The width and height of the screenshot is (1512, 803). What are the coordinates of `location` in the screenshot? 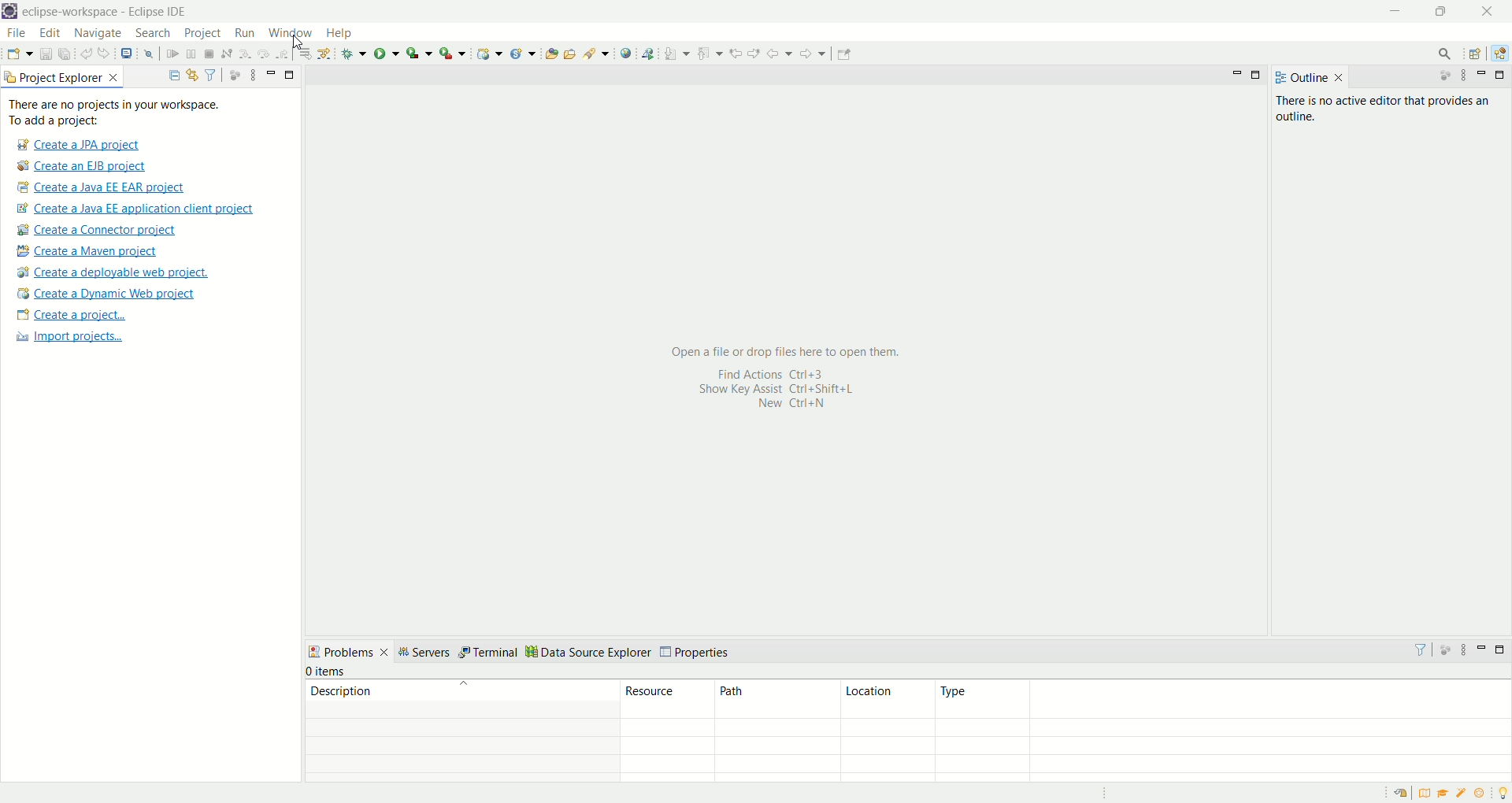 It's located at (886, 699).